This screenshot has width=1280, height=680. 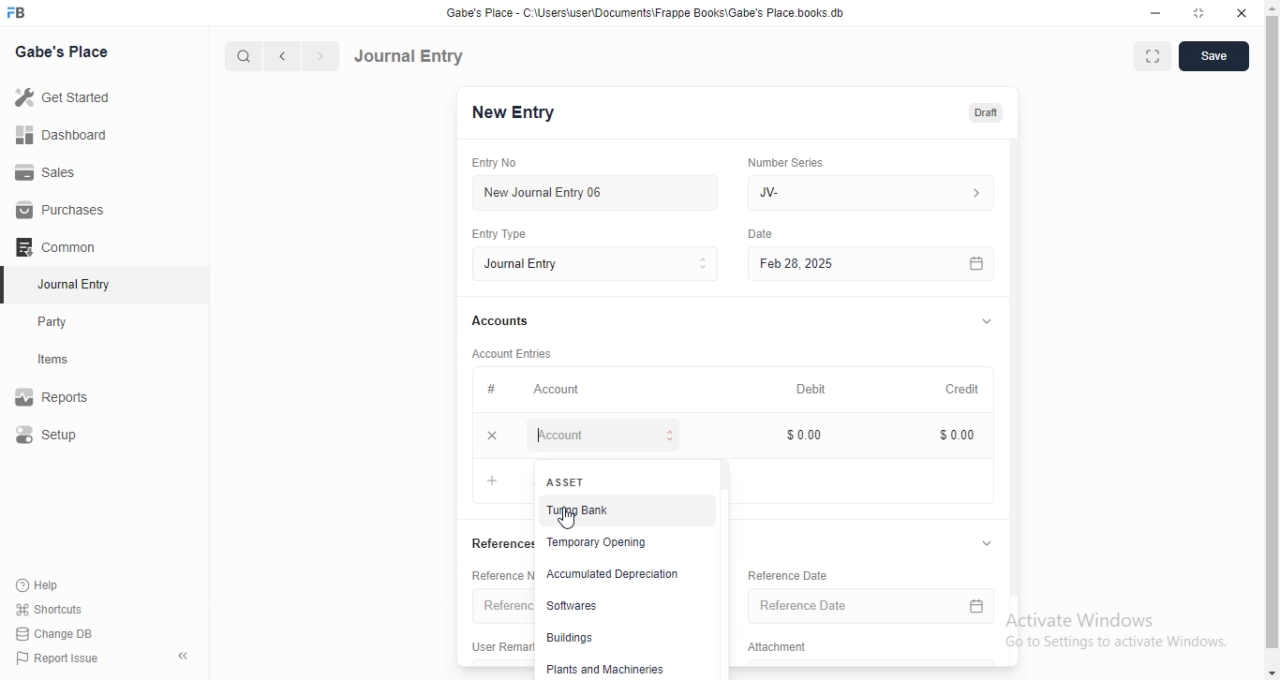 I want to click on Entry Type, so click(x=514, y=233).